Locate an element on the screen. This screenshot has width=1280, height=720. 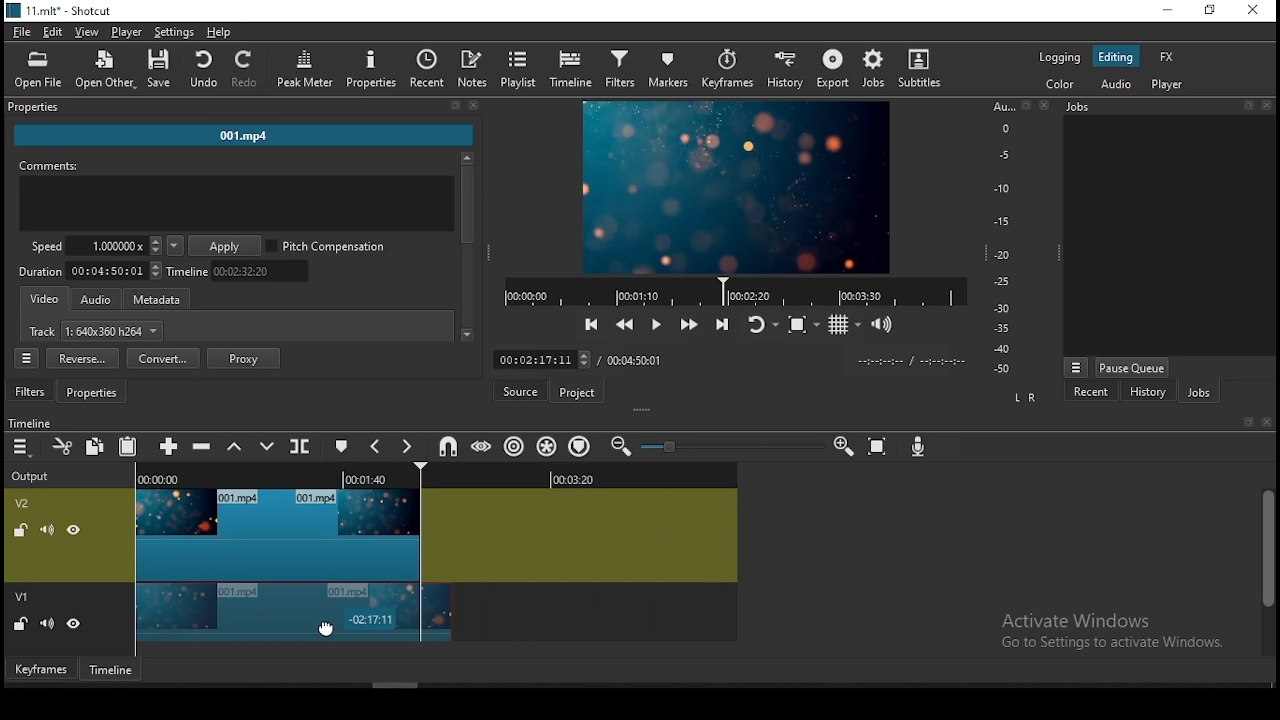
timeline is located at coordinates (242, 271).